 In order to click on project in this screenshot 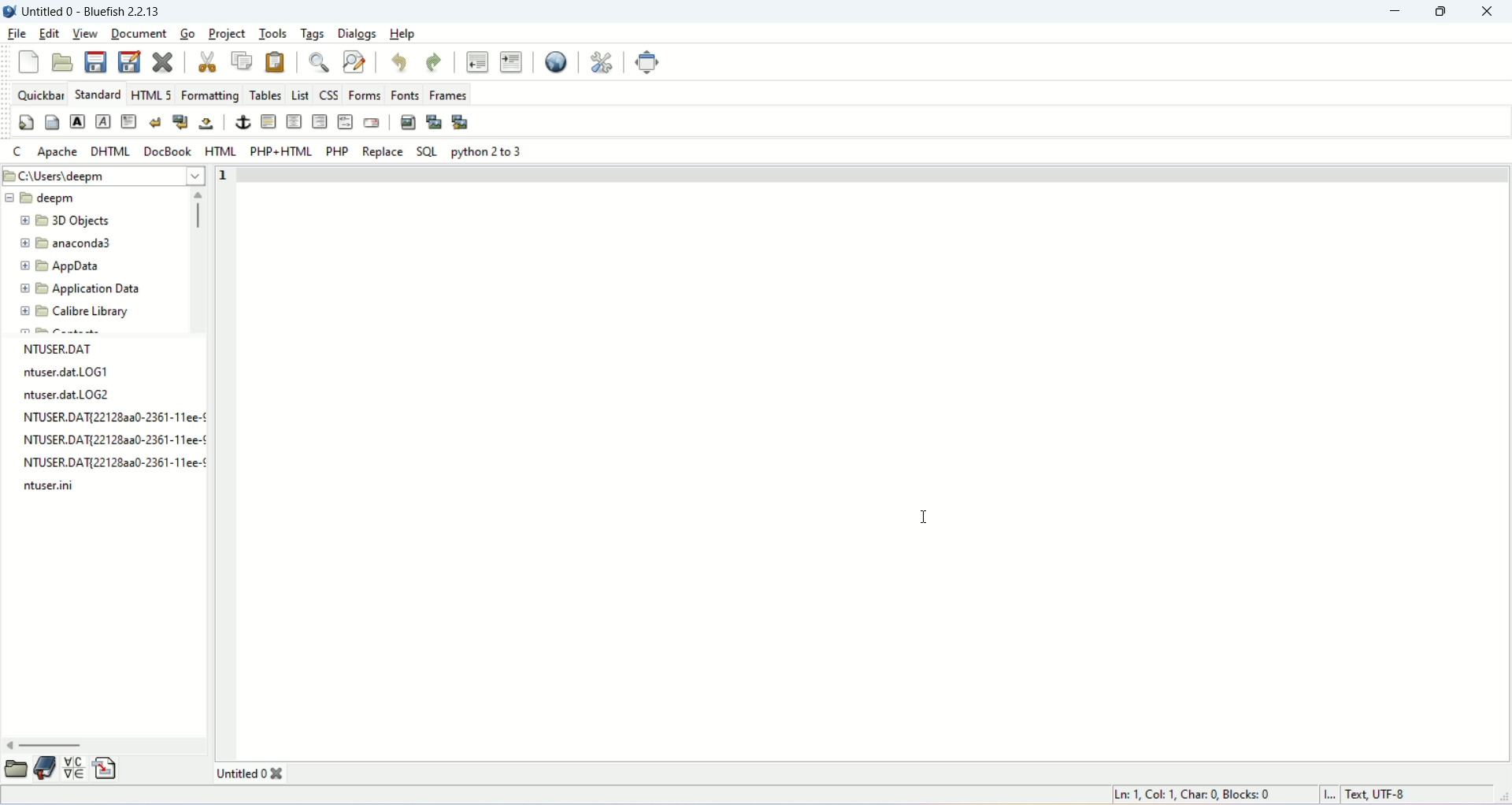, I will do `click(224, 32)`.